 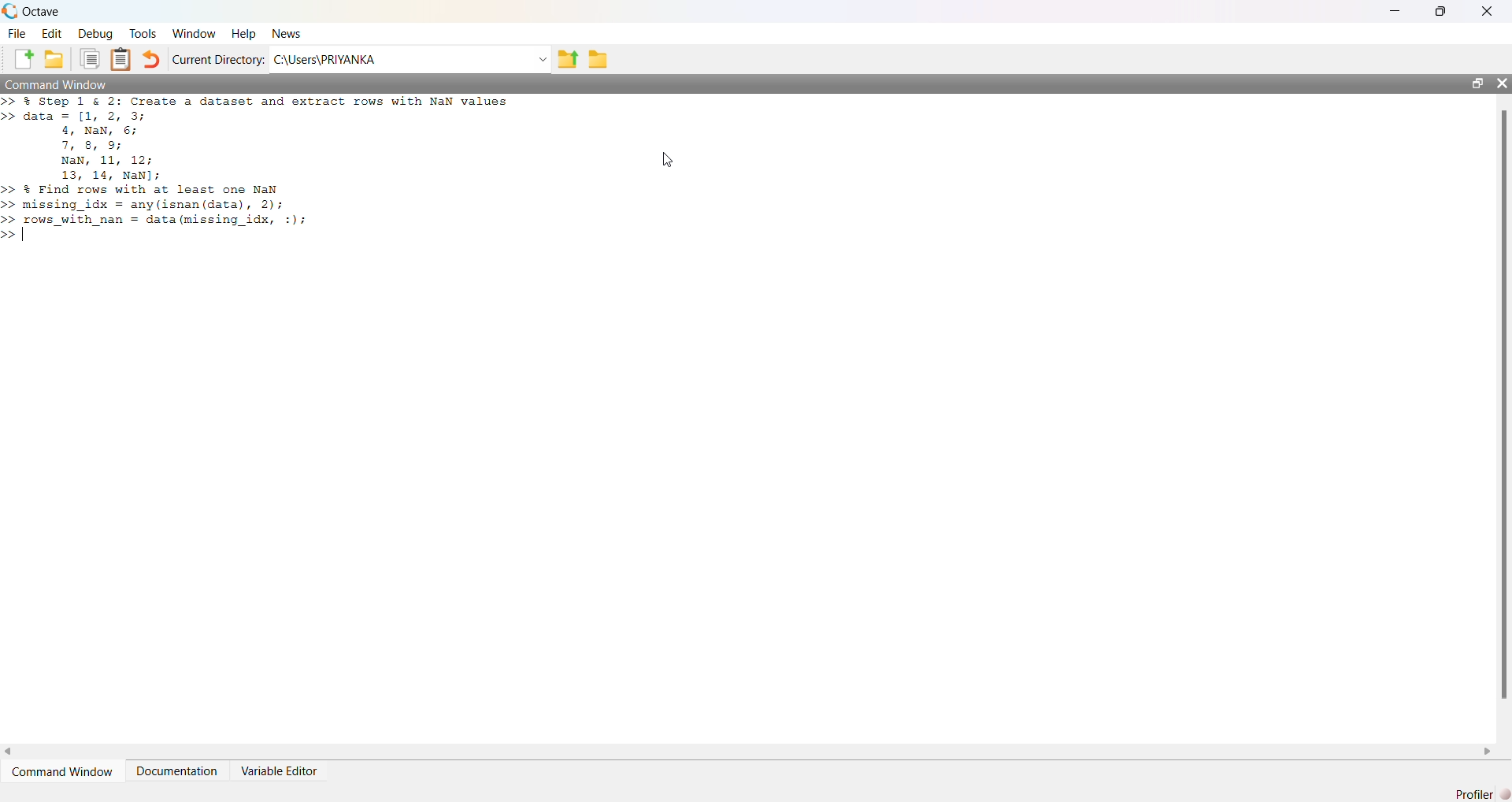 What do you see at coordinates (24, 59) in the screenshot?
I see `New File` at bounding box center [24, 59].